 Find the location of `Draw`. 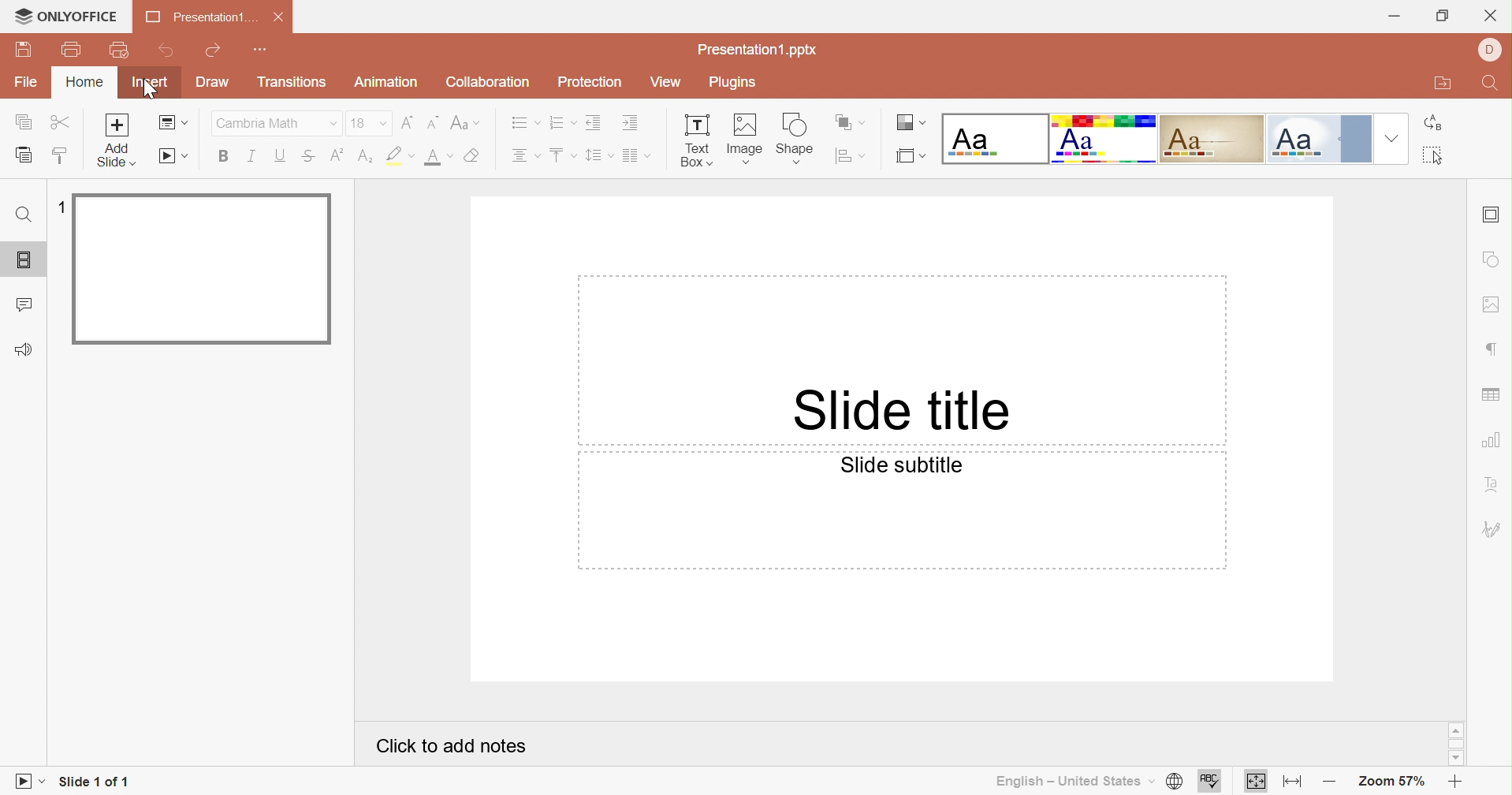

Draw is located at coordinates (213, 84).